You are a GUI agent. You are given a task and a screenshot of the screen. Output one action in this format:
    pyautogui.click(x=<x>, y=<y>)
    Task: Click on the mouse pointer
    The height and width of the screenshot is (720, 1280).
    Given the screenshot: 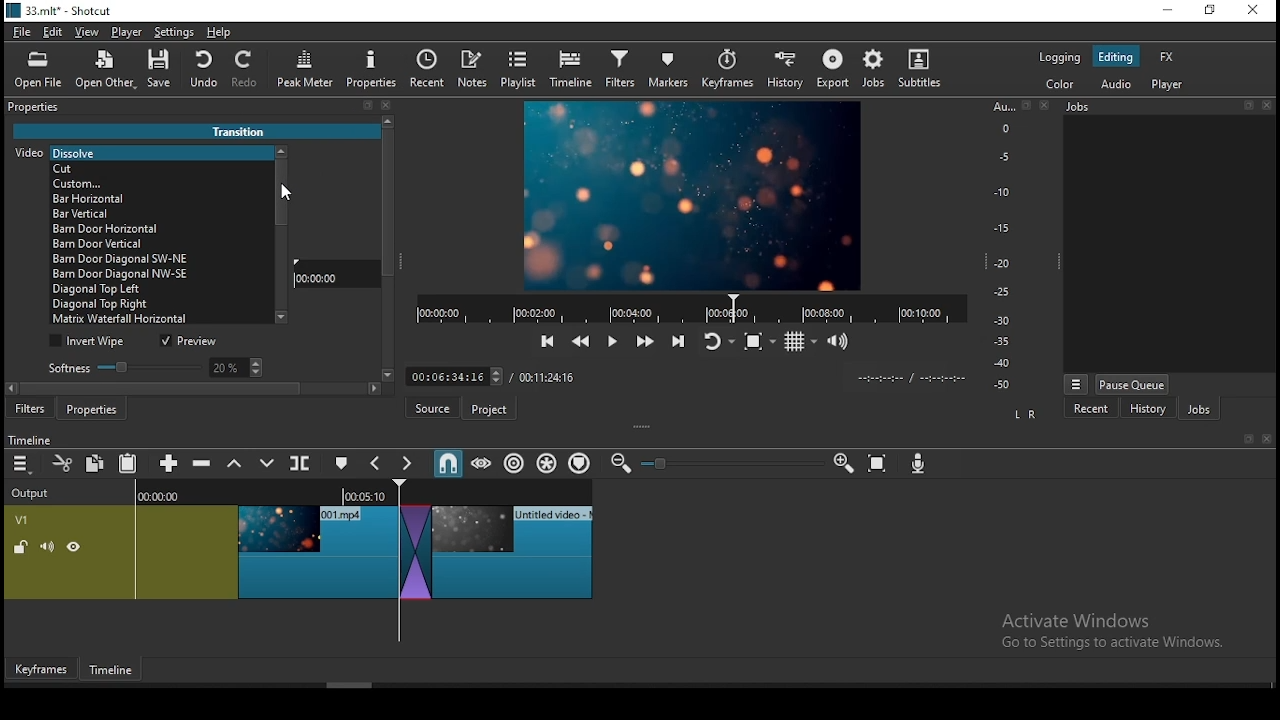 What is the action you would take?
    pyautogui.click(x=290, y=190)
    